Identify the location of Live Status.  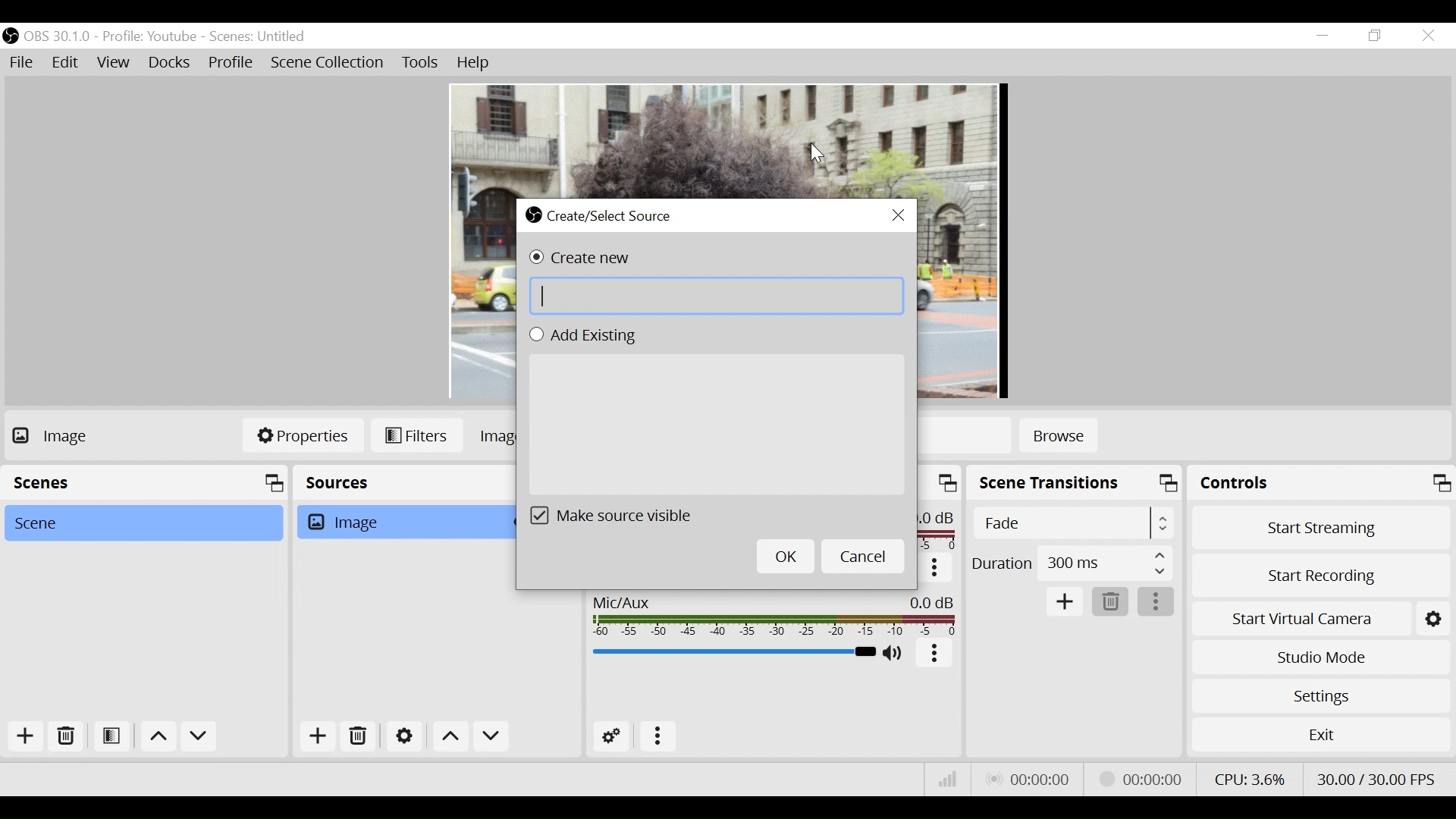
(1040, 779).